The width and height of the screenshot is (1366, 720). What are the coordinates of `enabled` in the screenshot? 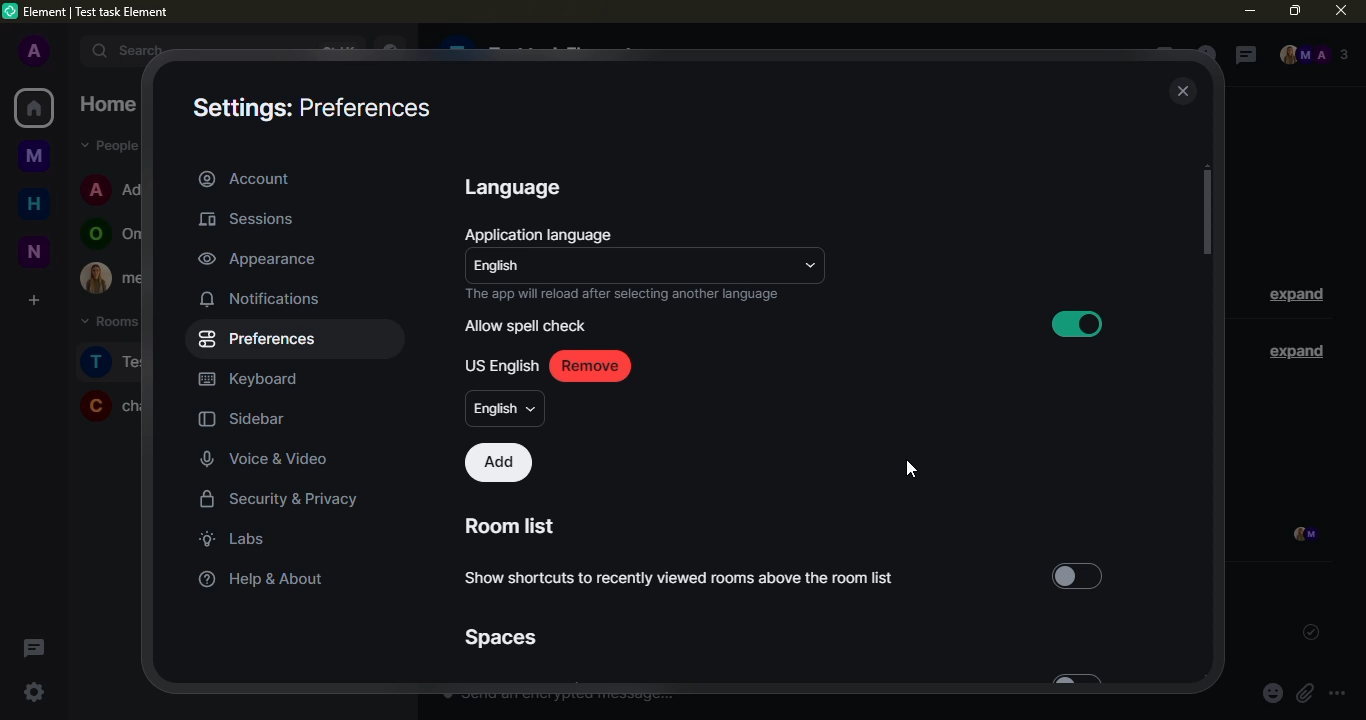 It's located at (1079, 324).